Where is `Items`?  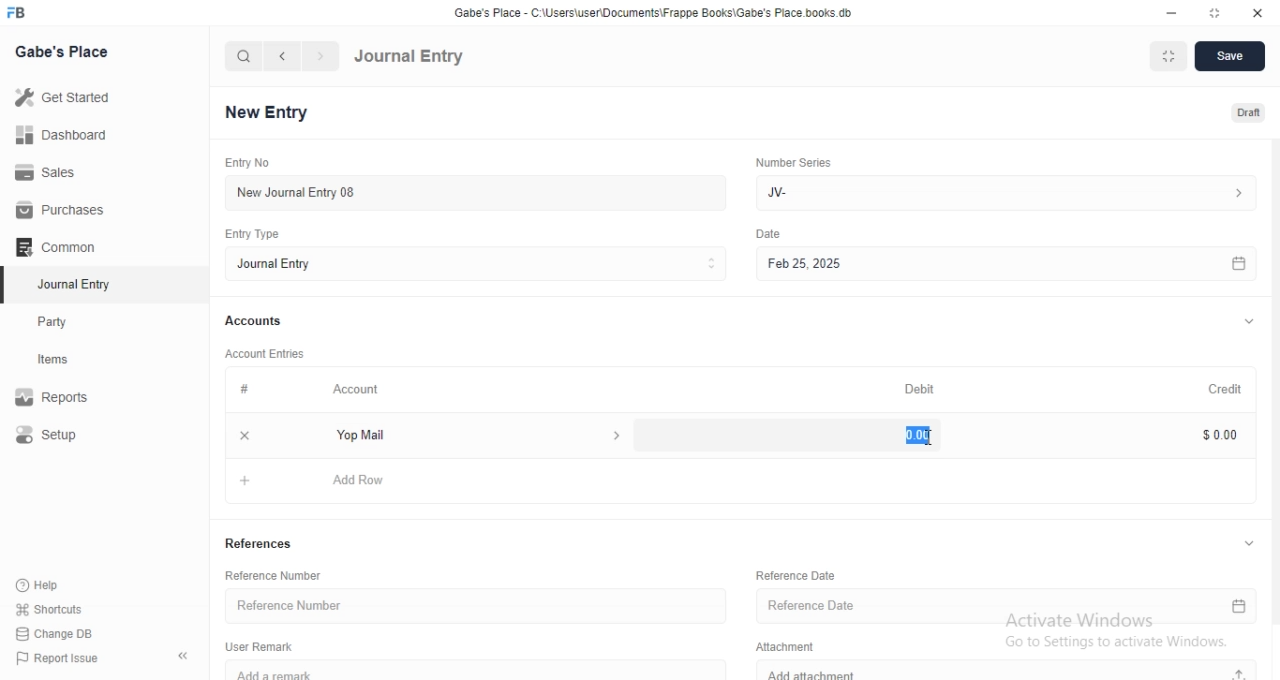
Items is located at coordinates (72, 361).